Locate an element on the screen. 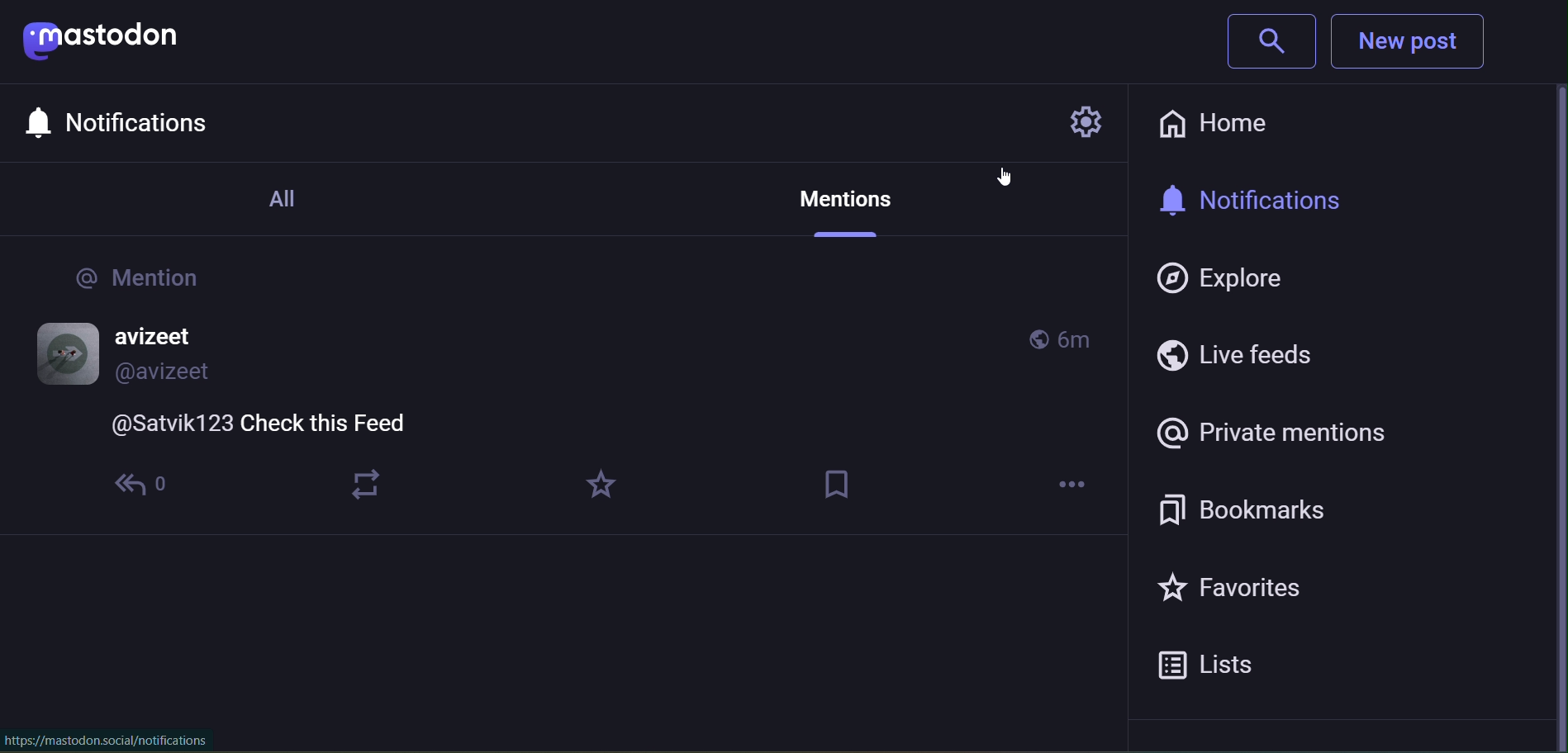 This screenshot has width=1568, height=753. scroll bar is located at coordinates (1547, 420).